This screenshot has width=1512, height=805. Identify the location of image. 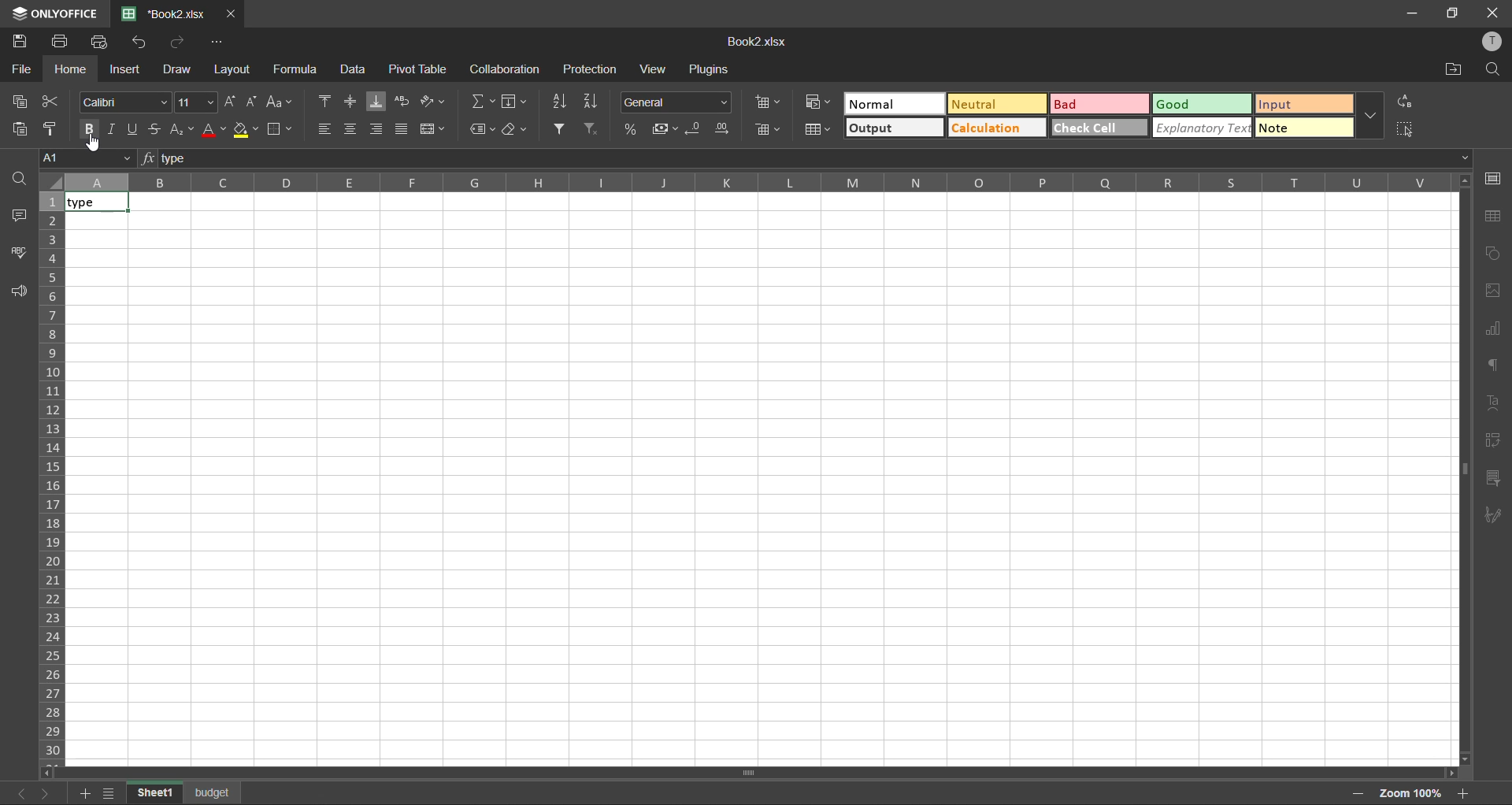
(1497, 291).